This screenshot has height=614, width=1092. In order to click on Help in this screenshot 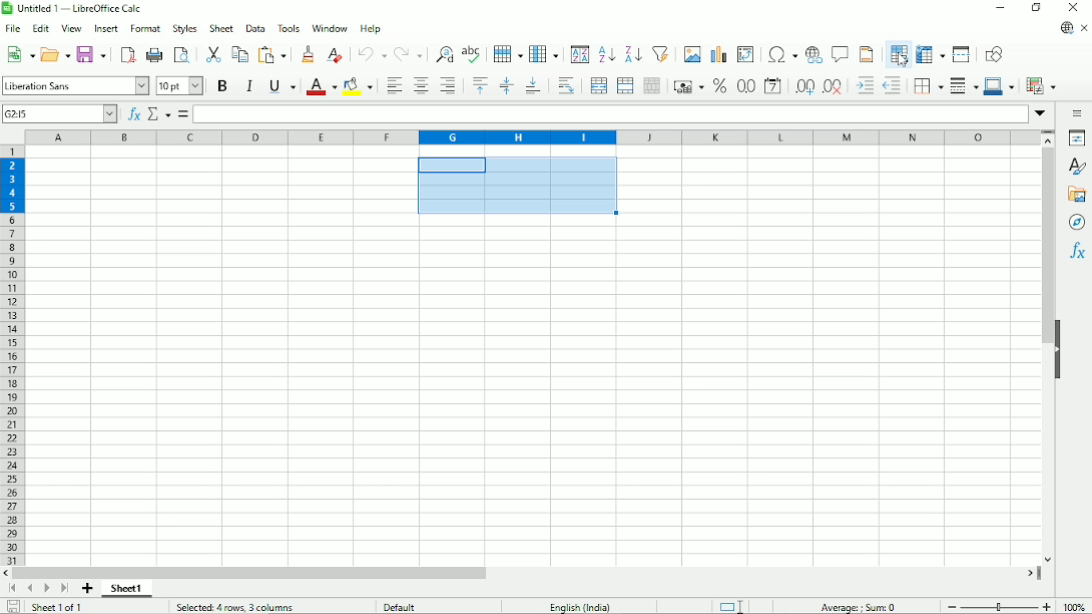, I will do `click(371, 29)`.